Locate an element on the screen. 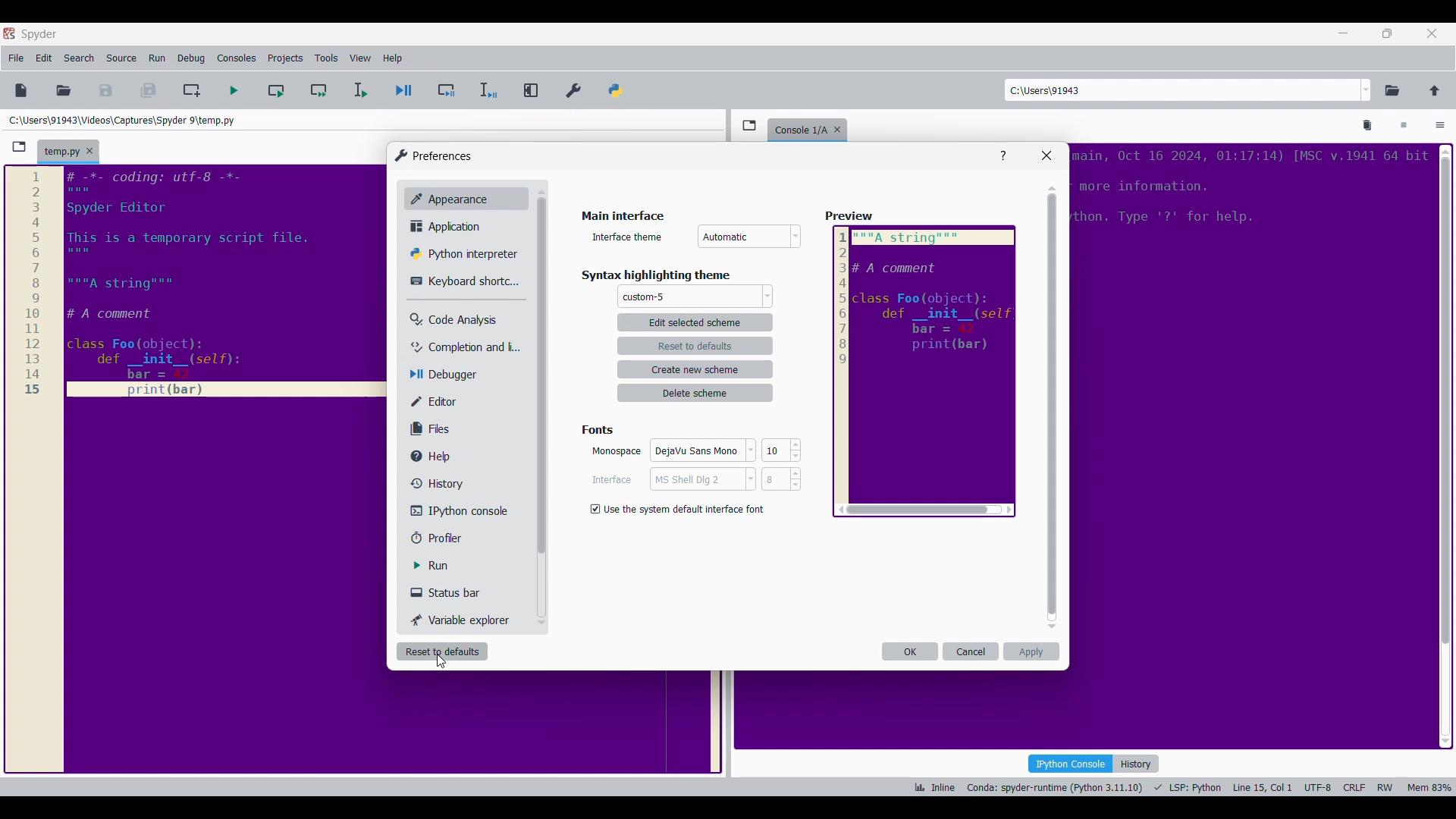 Image resolution: width=1456 pixels, height=819 pixels. Vertical slide bar is located at coordinates (542, 407).